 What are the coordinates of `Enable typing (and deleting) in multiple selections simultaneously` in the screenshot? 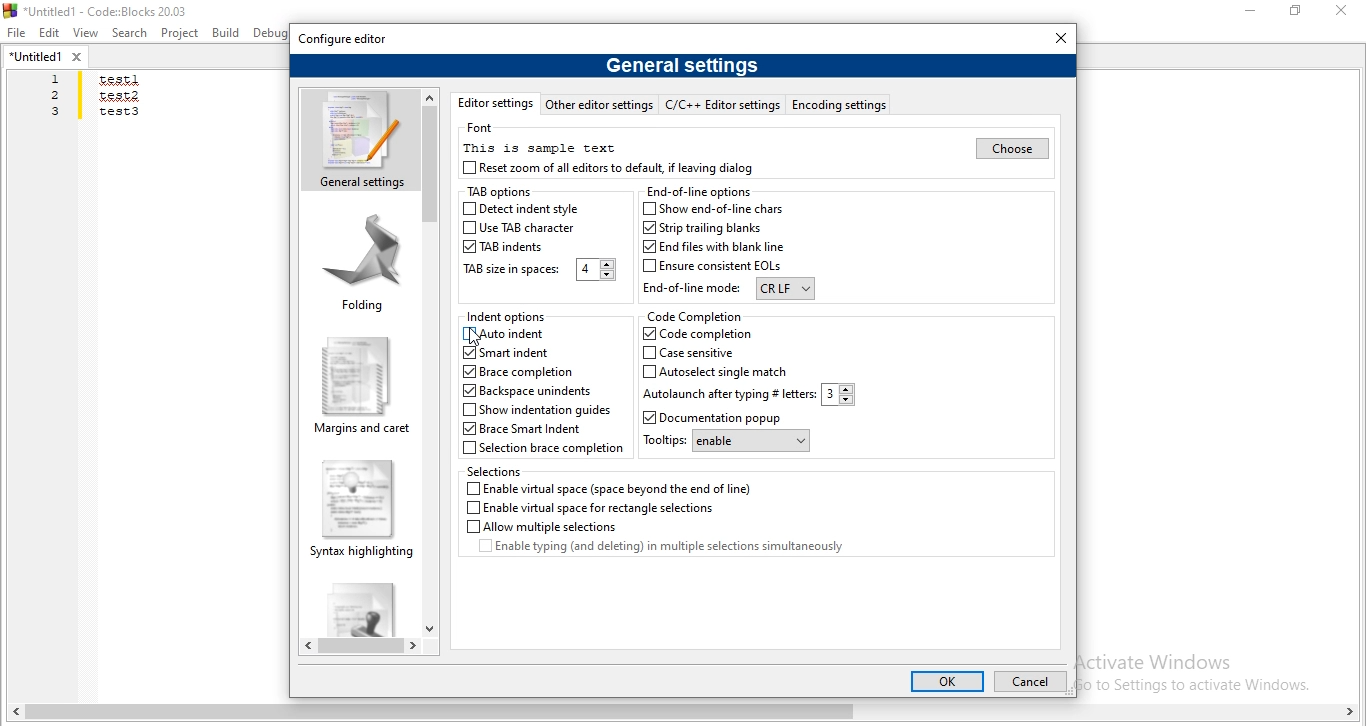 It's located at (678, 549).